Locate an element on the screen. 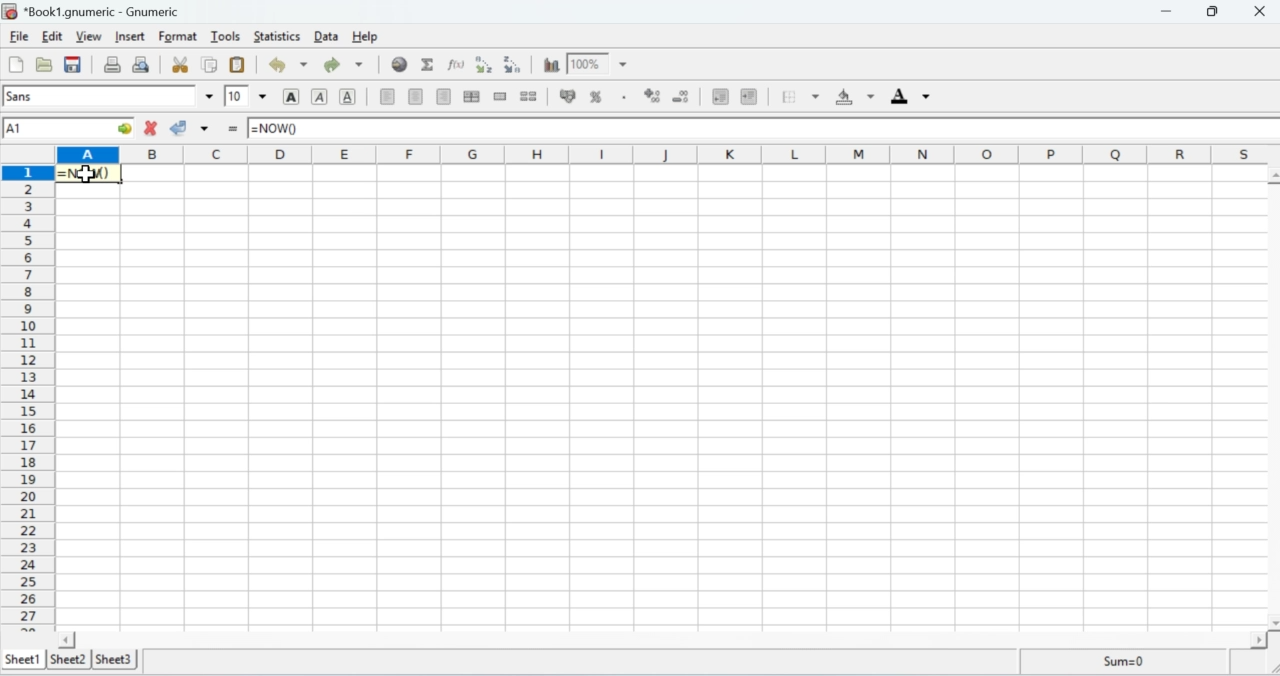  Print the current file is located at coordinates (113, 64).